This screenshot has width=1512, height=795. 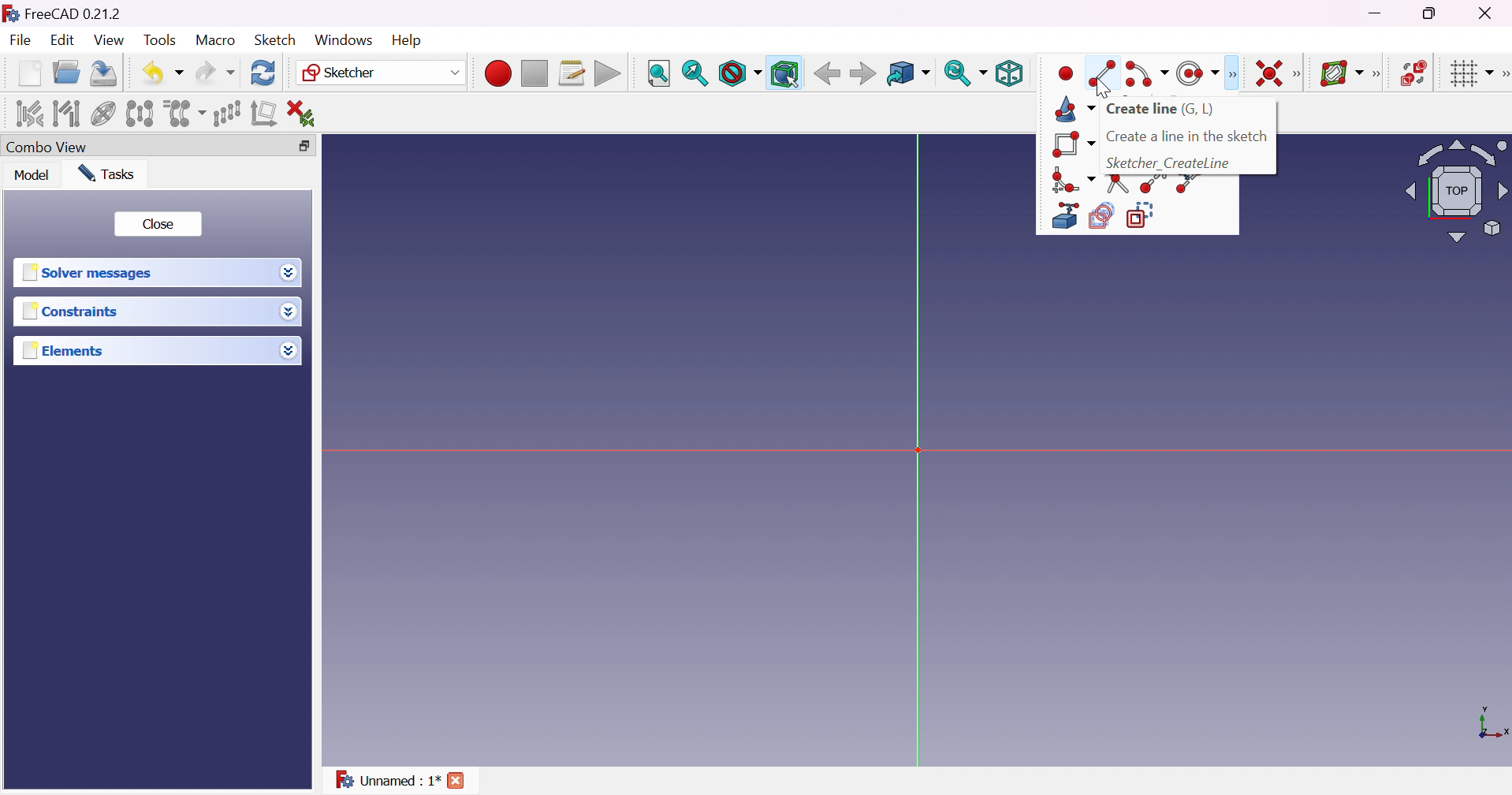 I want to click on Viewing angle, so click(x=1458, y=190).